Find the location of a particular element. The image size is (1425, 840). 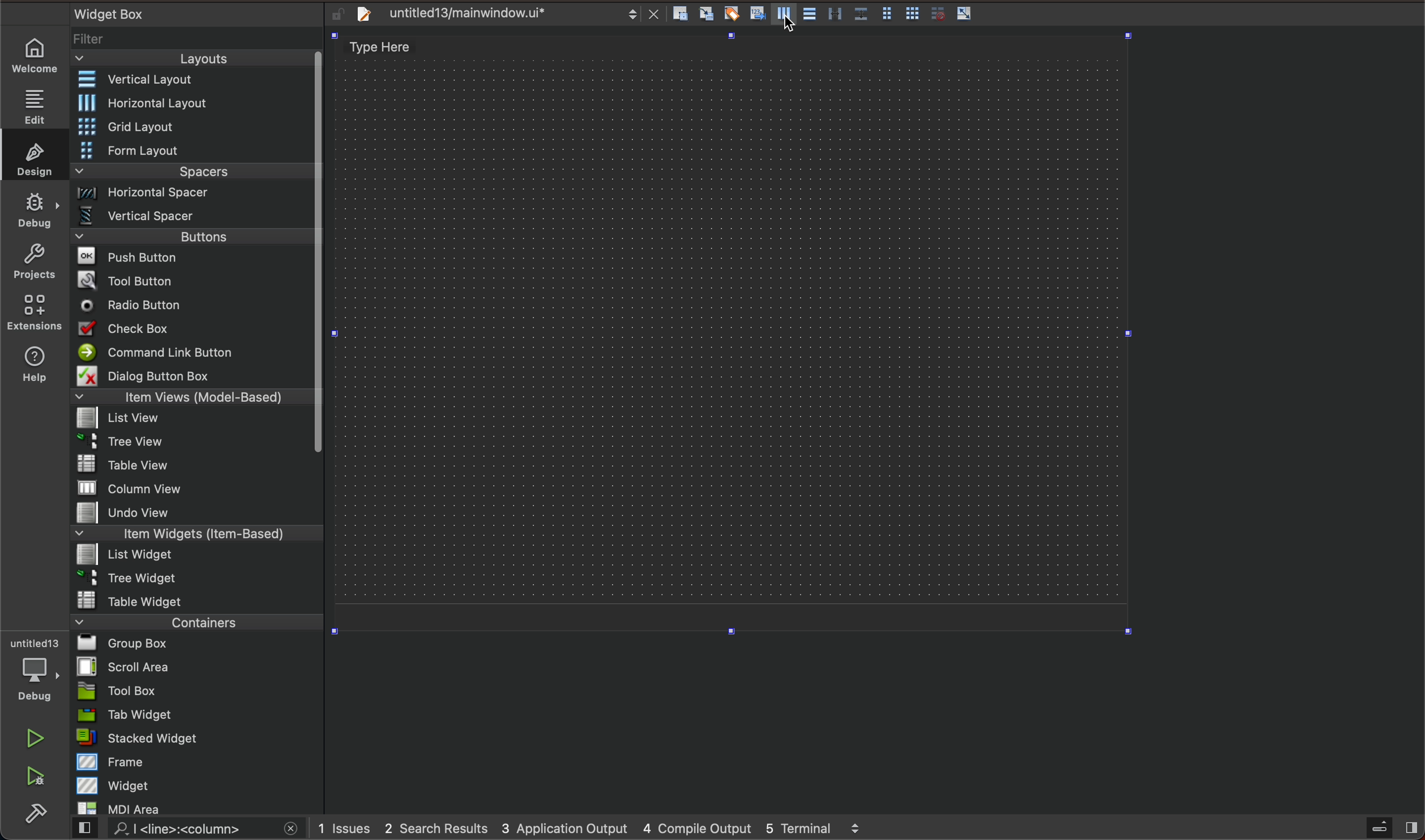

dialog button is located at coordinates (194, 375).